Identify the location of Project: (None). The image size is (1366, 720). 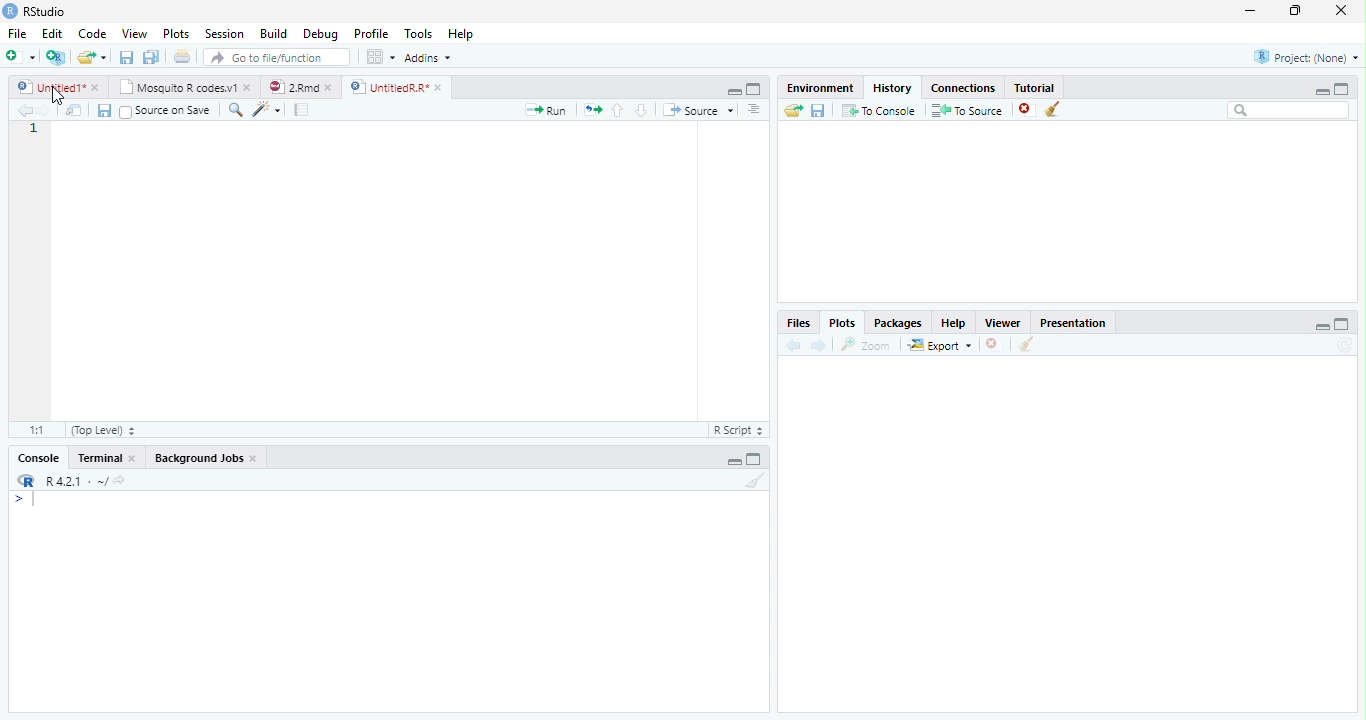
(1306, 57).